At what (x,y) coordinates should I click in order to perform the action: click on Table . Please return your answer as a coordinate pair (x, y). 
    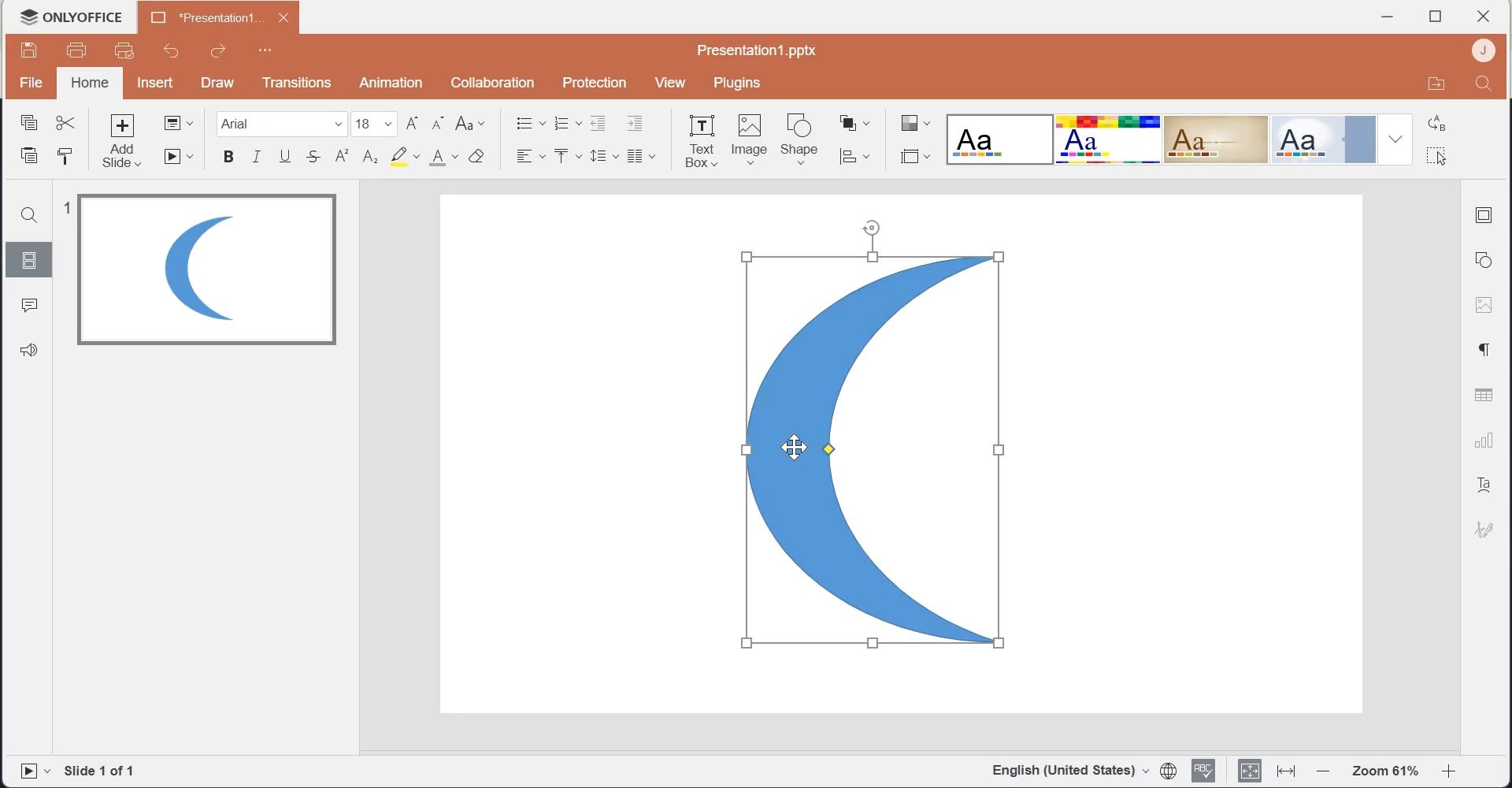
    Looking at the image, I should click on (1488, 395).